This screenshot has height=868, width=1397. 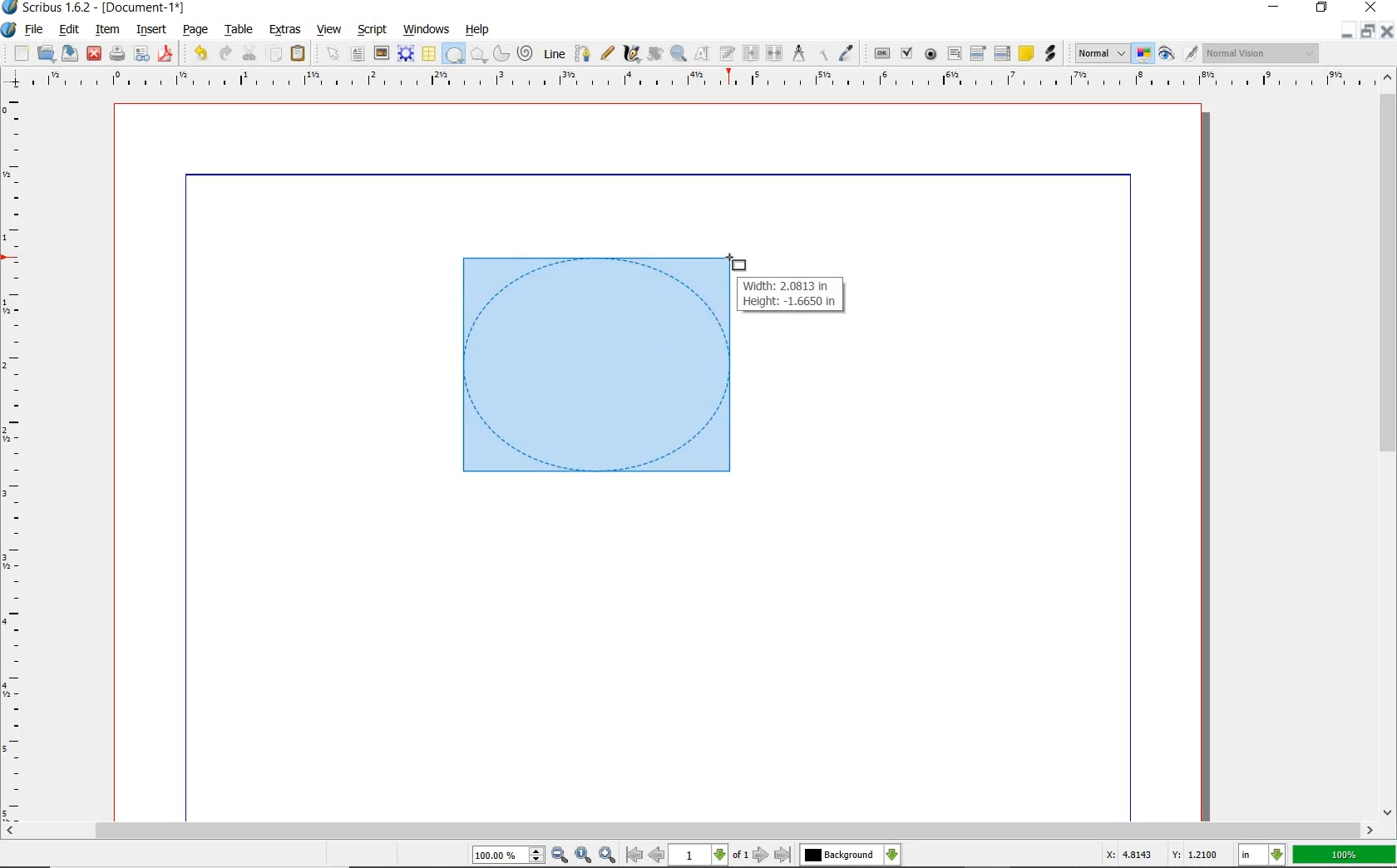 I want to click on next, so click(x=761, y=855).